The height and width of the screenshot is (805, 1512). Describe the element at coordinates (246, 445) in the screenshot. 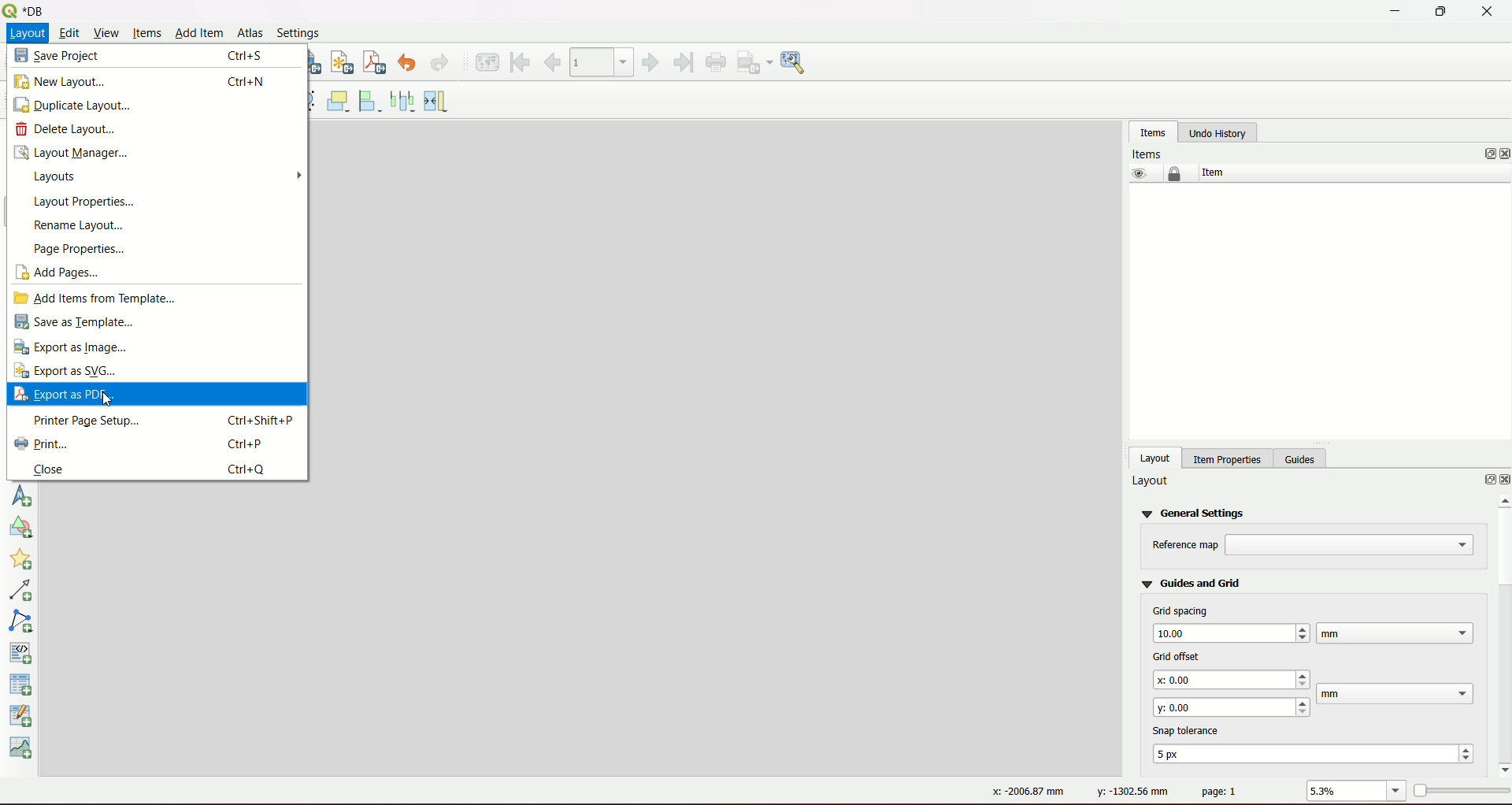

I see `ctrl+P` at that location.